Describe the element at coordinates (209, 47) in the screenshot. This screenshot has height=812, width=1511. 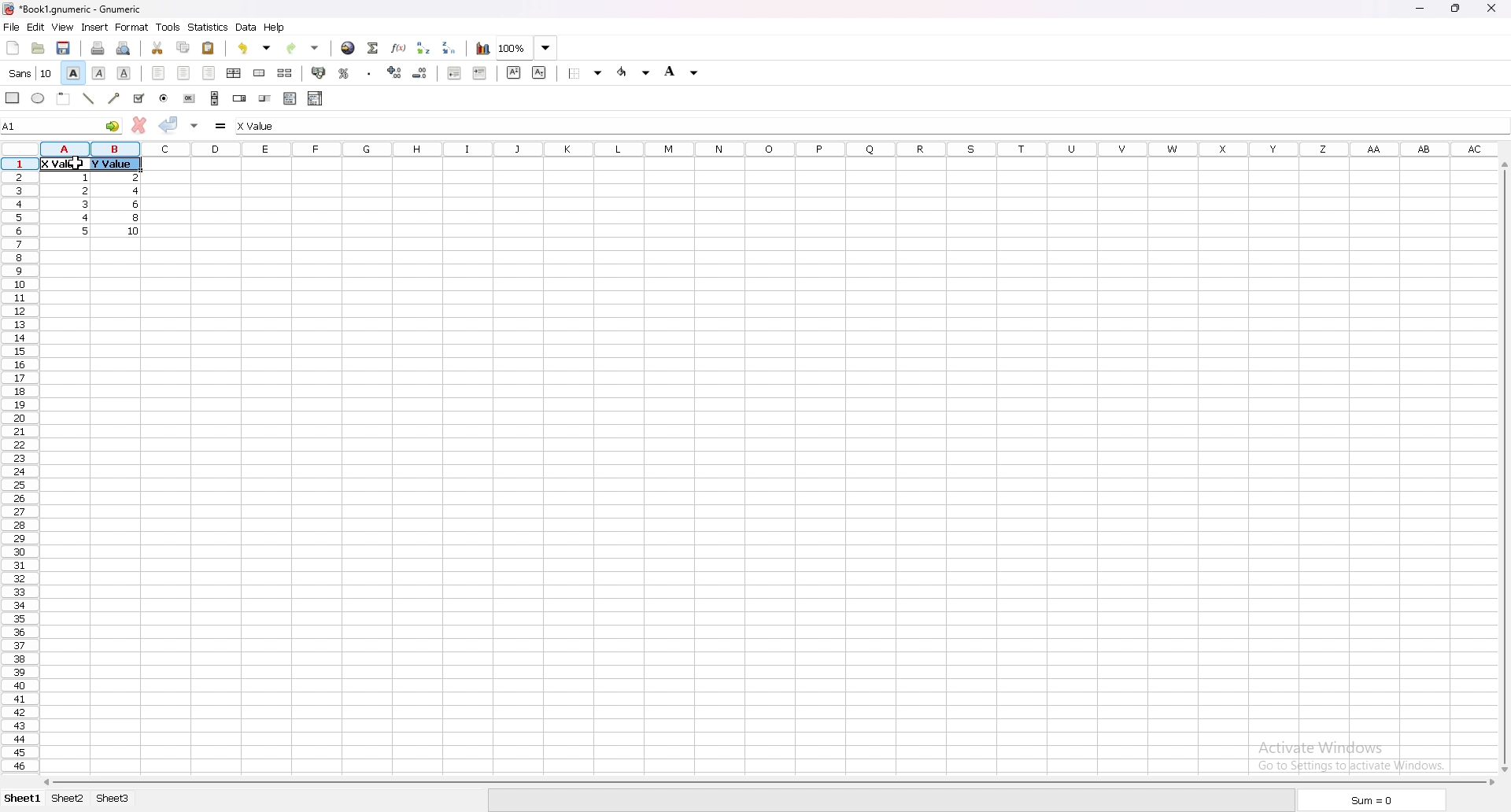
I see `paste` at that location.